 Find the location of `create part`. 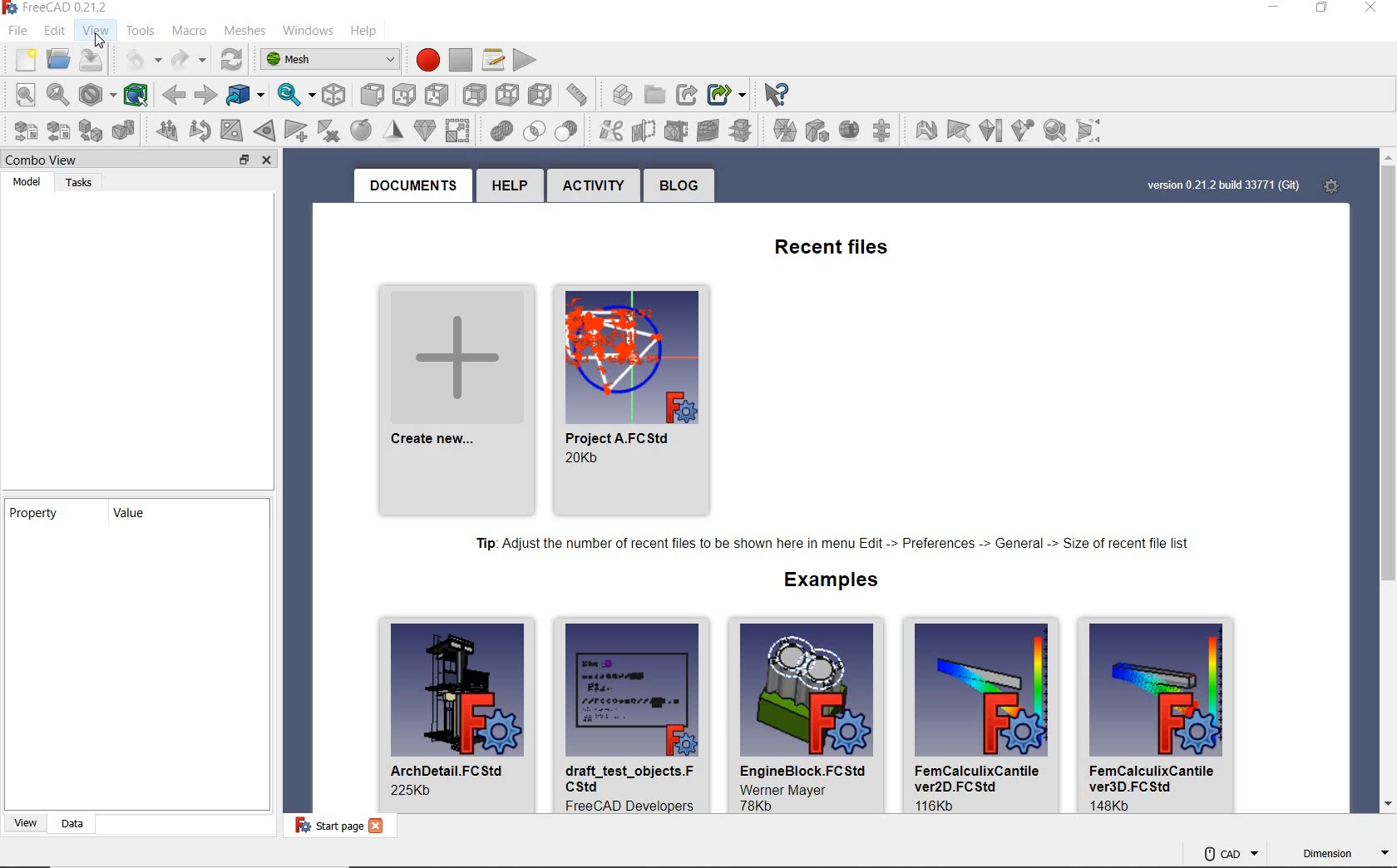

create part is located at coordinates (580, 94).